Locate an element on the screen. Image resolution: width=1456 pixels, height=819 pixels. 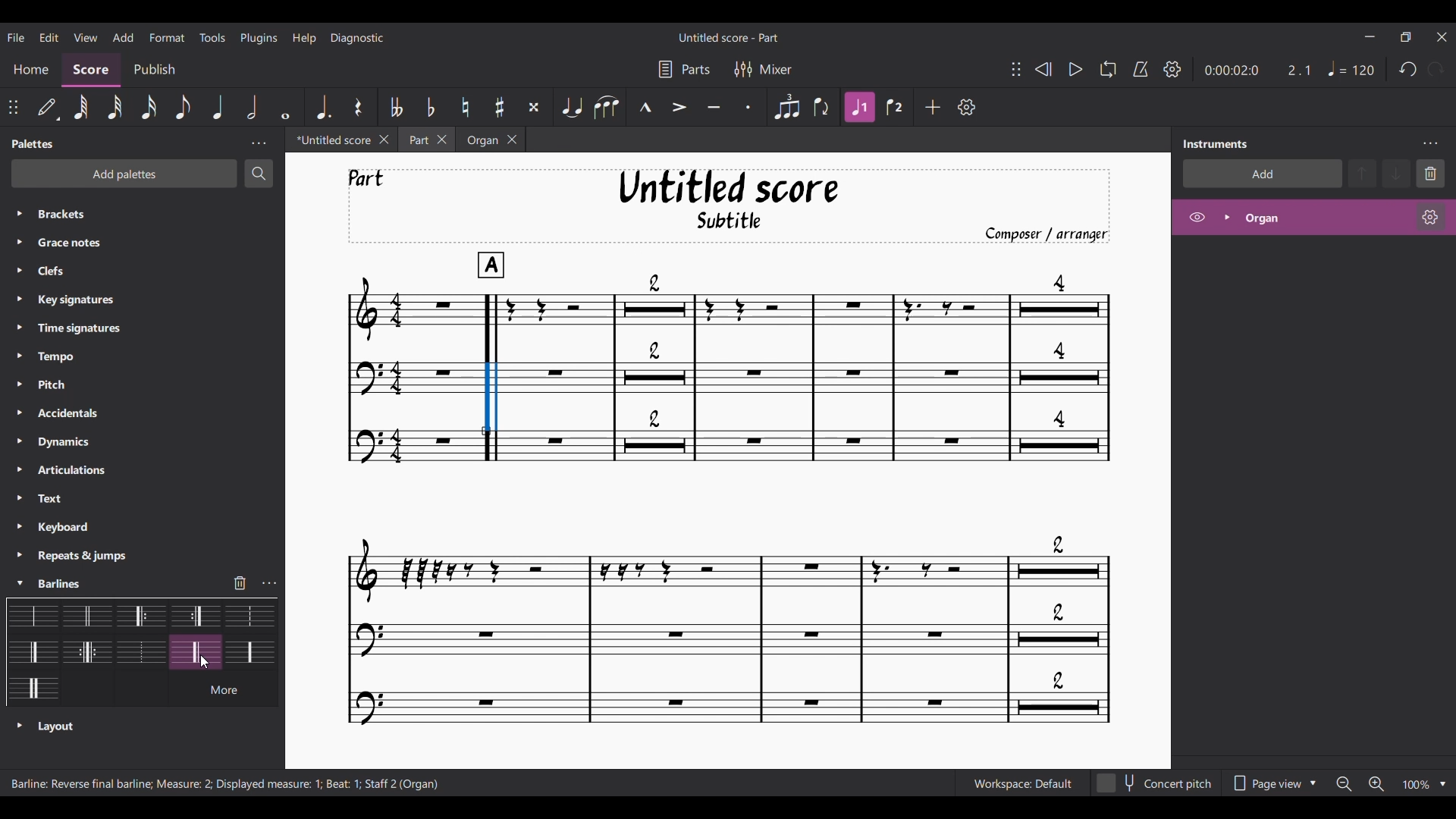
Palette panel settings is located at coordinates (259, 143).